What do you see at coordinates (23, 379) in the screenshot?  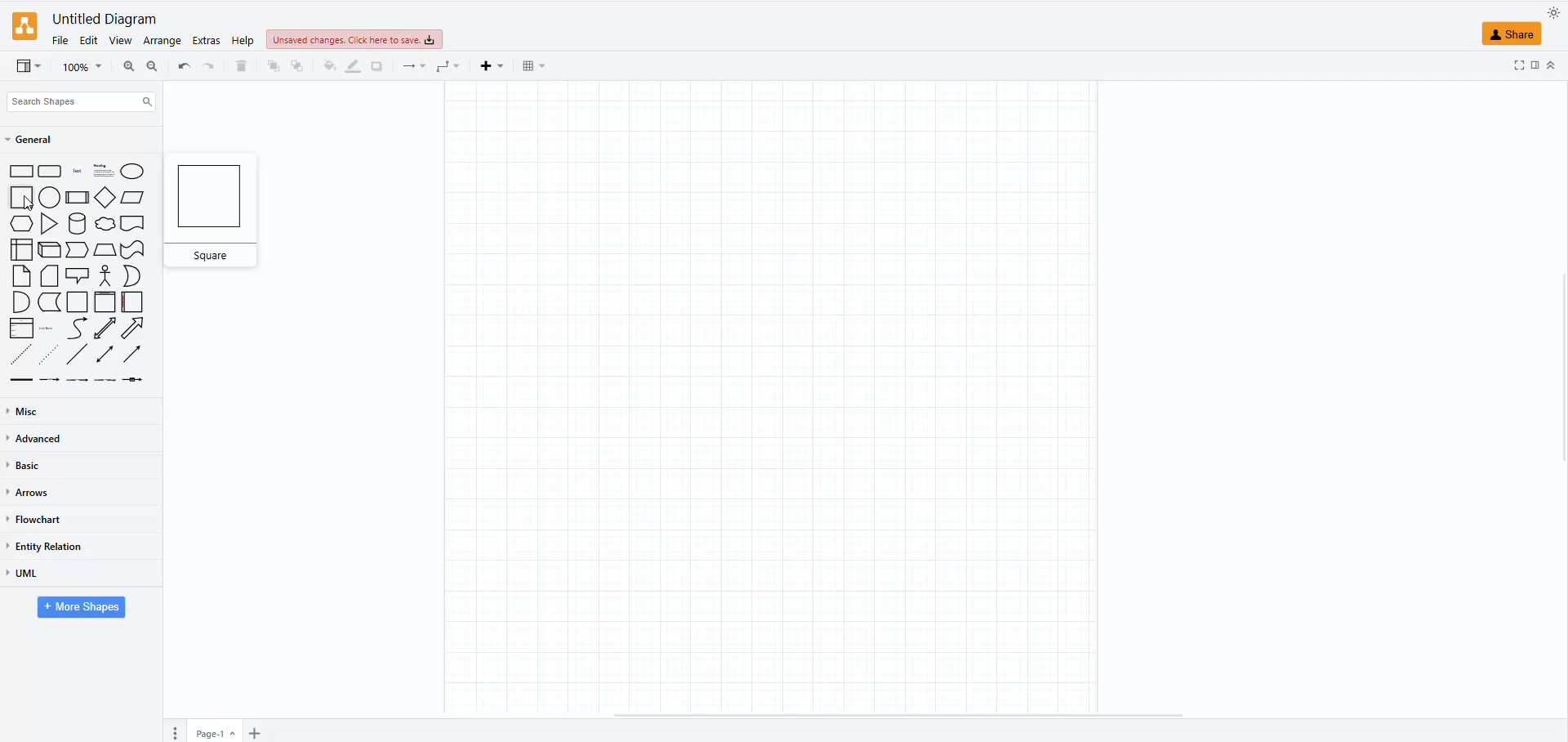 I see `link` at bounding box center [23, 379].